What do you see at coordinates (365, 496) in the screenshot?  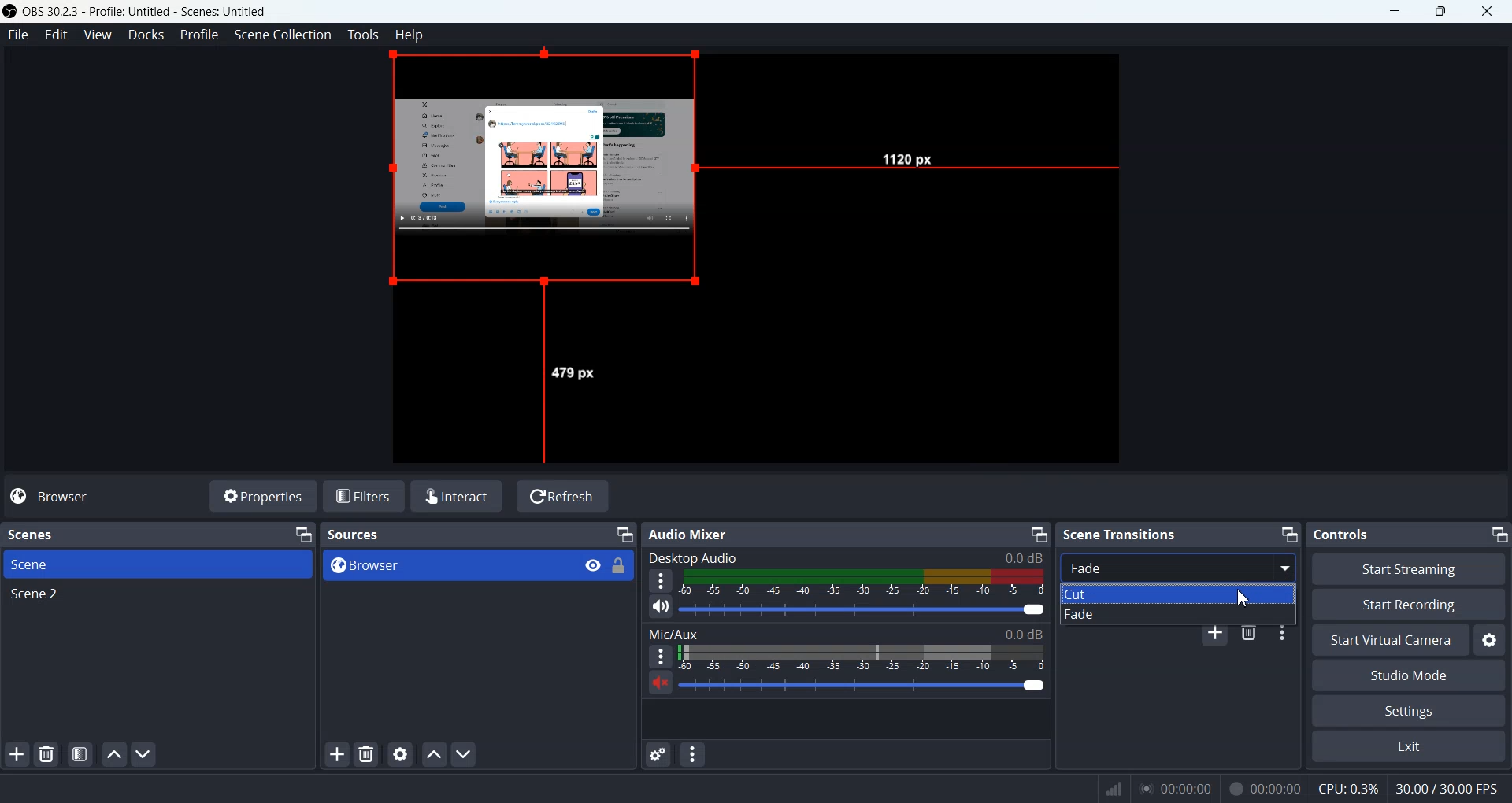 I see `Filters` at bounding box center [365, 496].